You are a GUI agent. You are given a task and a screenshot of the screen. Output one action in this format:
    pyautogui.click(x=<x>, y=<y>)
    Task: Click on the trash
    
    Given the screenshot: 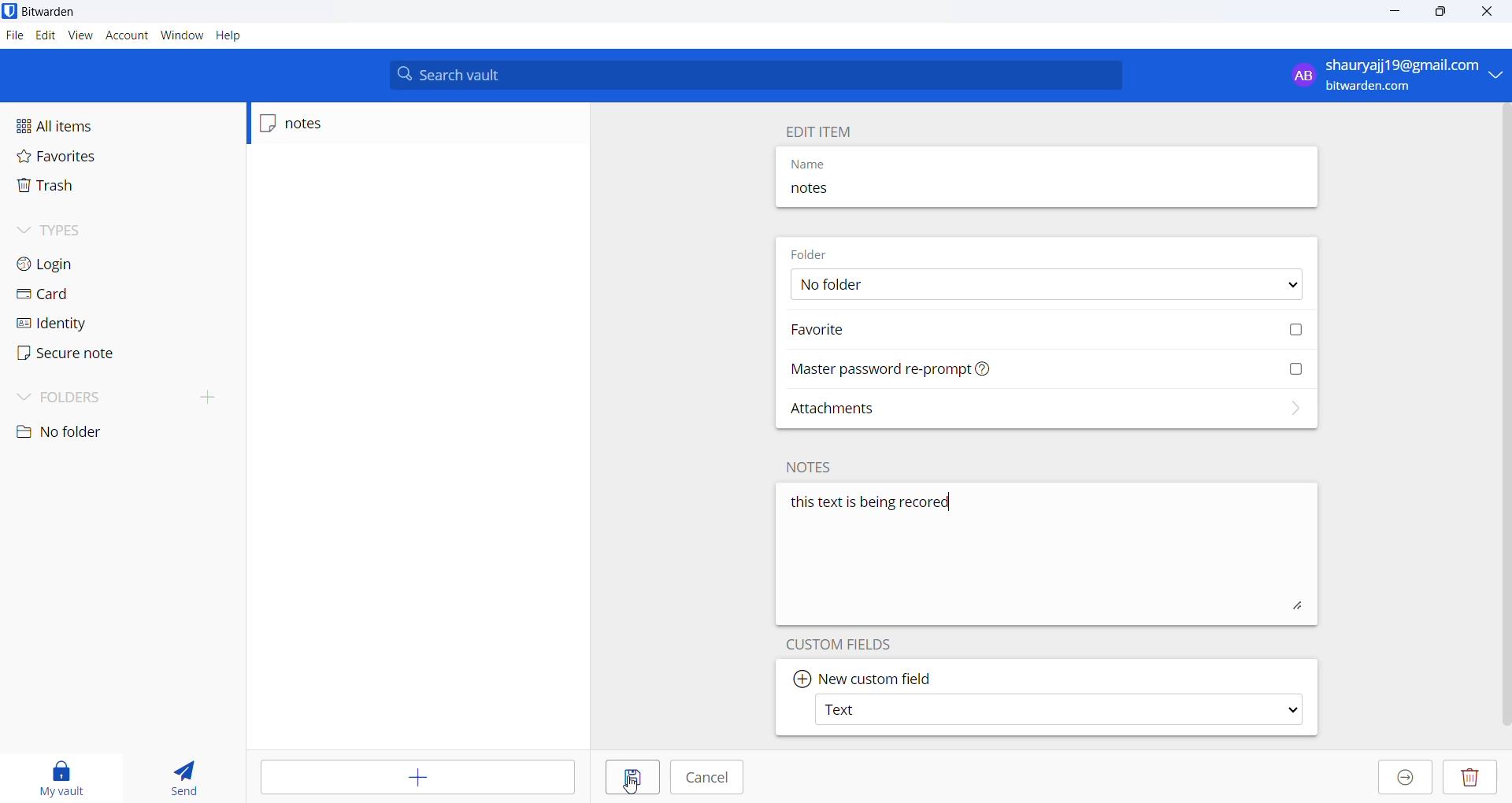 What is the action you would take?
    pyautogui.click(x=69, y=187)
    